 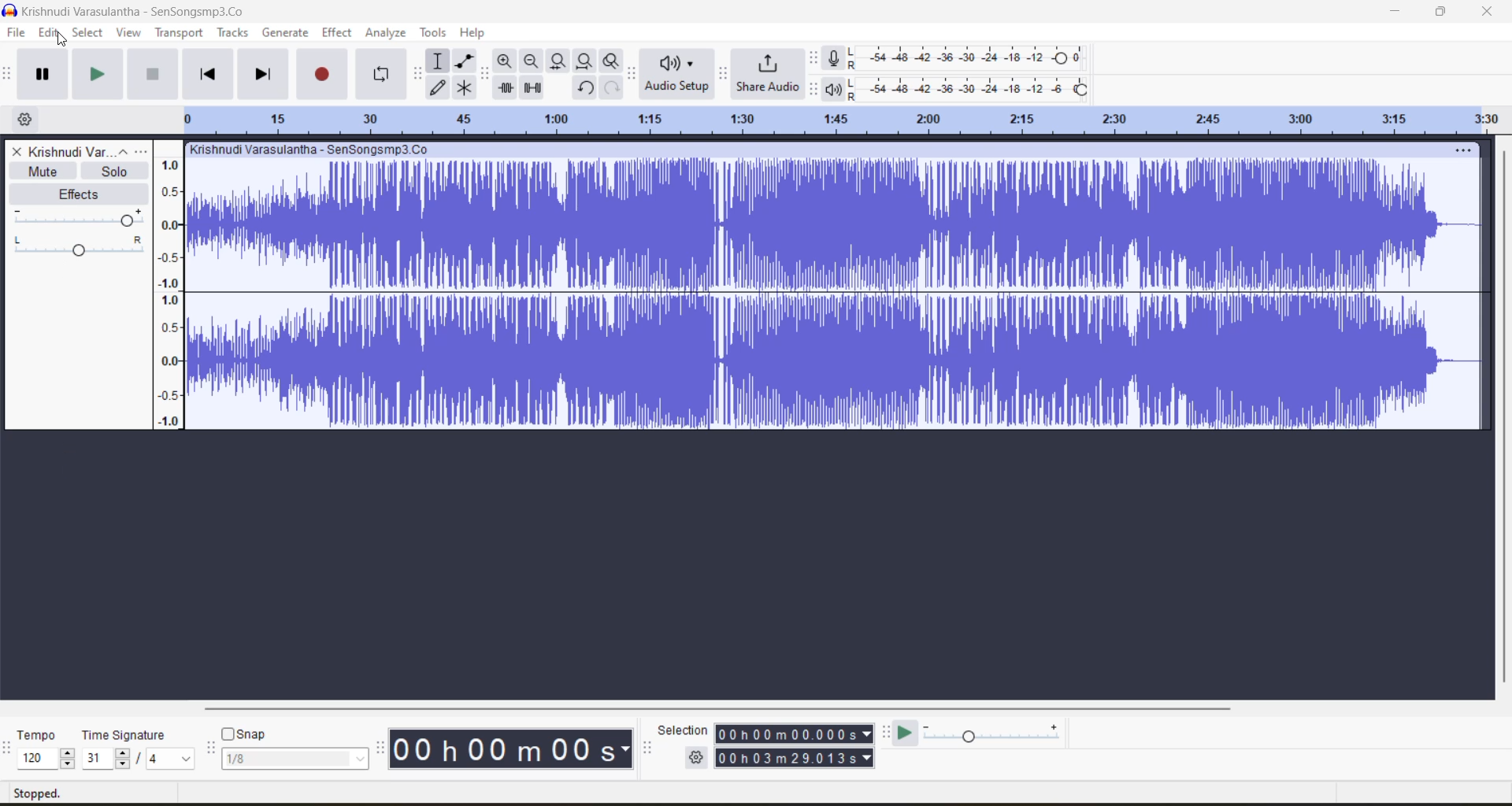 What do you see at coordinates (1399, 13) in the screenshot?
I see `minimize` at bounding box center [1399, 13].